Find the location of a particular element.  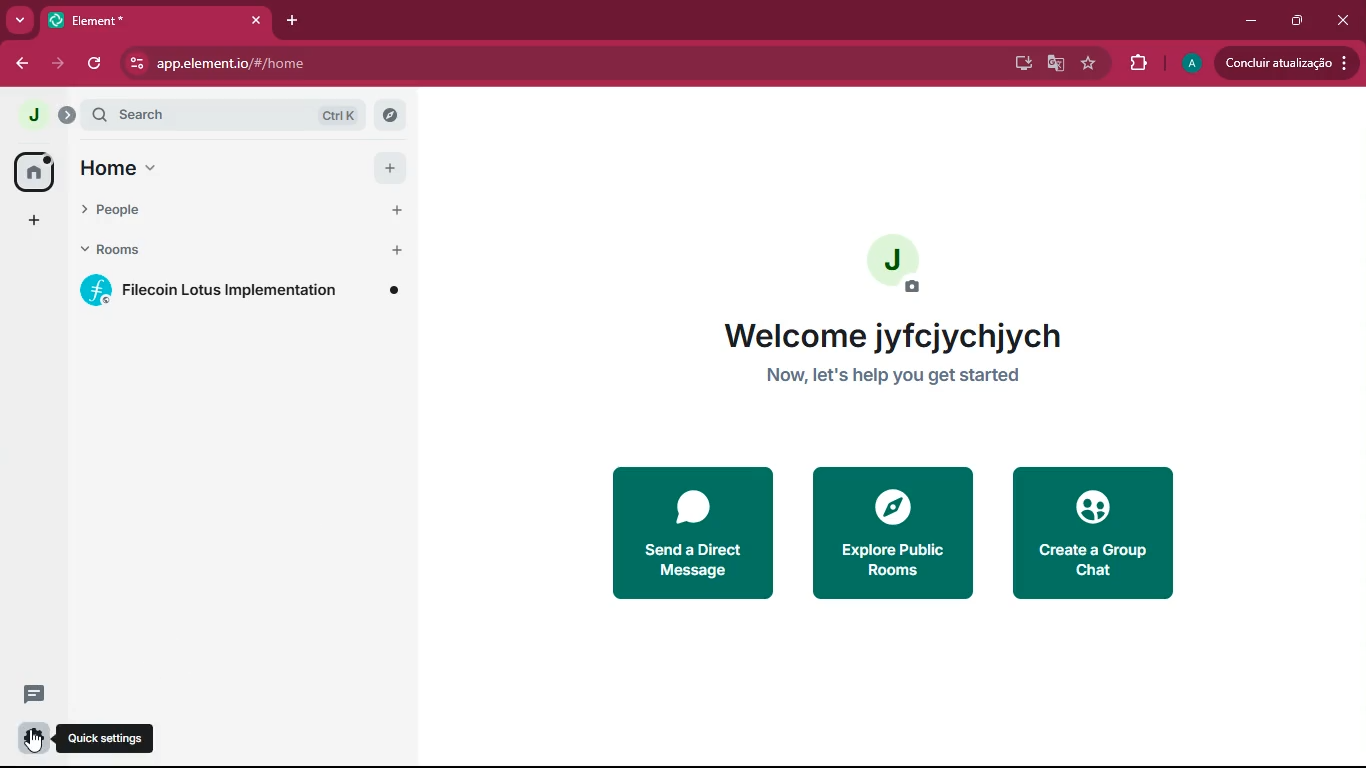

welcome jyfcjychjych is located at coordinates (894, 337).